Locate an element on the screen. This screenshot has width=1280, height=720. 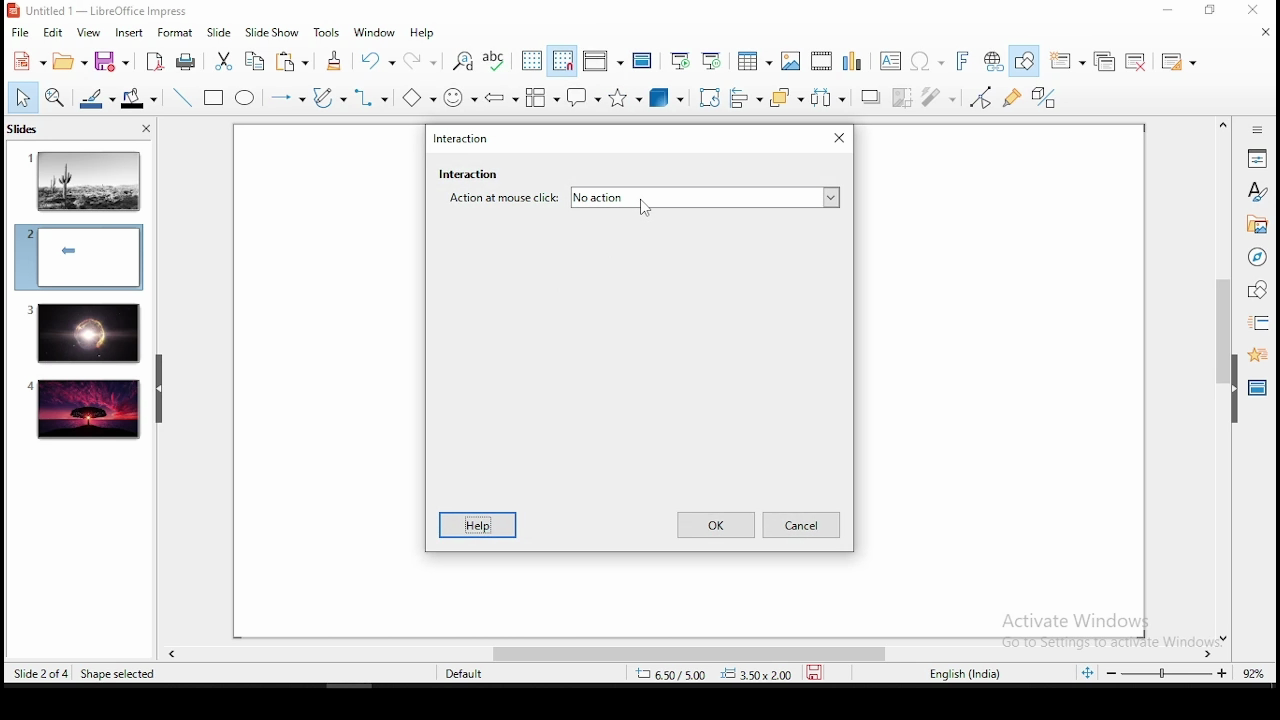
crop image is located at coordinates (906, 96).